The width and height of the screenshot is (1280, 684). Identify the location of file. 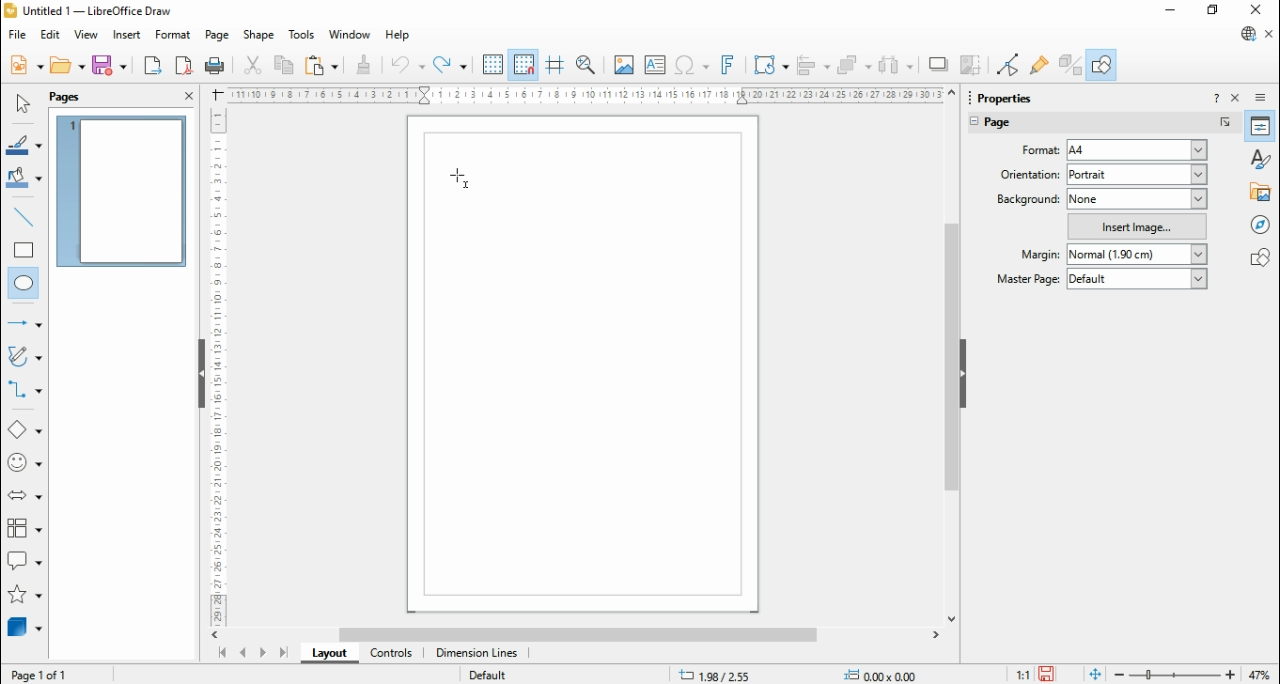
(19, 34).